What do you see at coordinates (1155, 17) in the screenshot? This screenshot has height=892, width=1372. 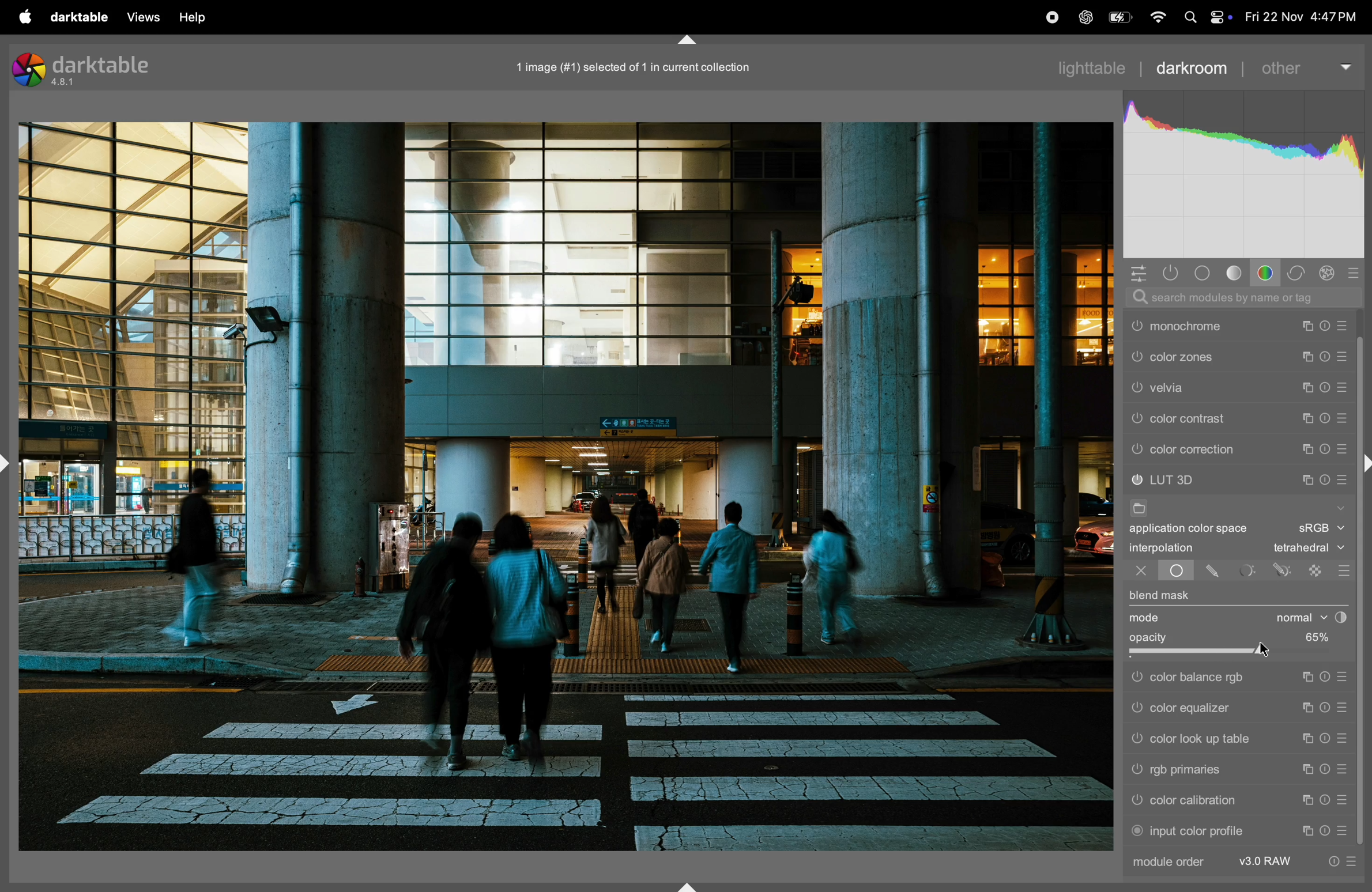 I see `wifi` at bounding box center [1155, 17].